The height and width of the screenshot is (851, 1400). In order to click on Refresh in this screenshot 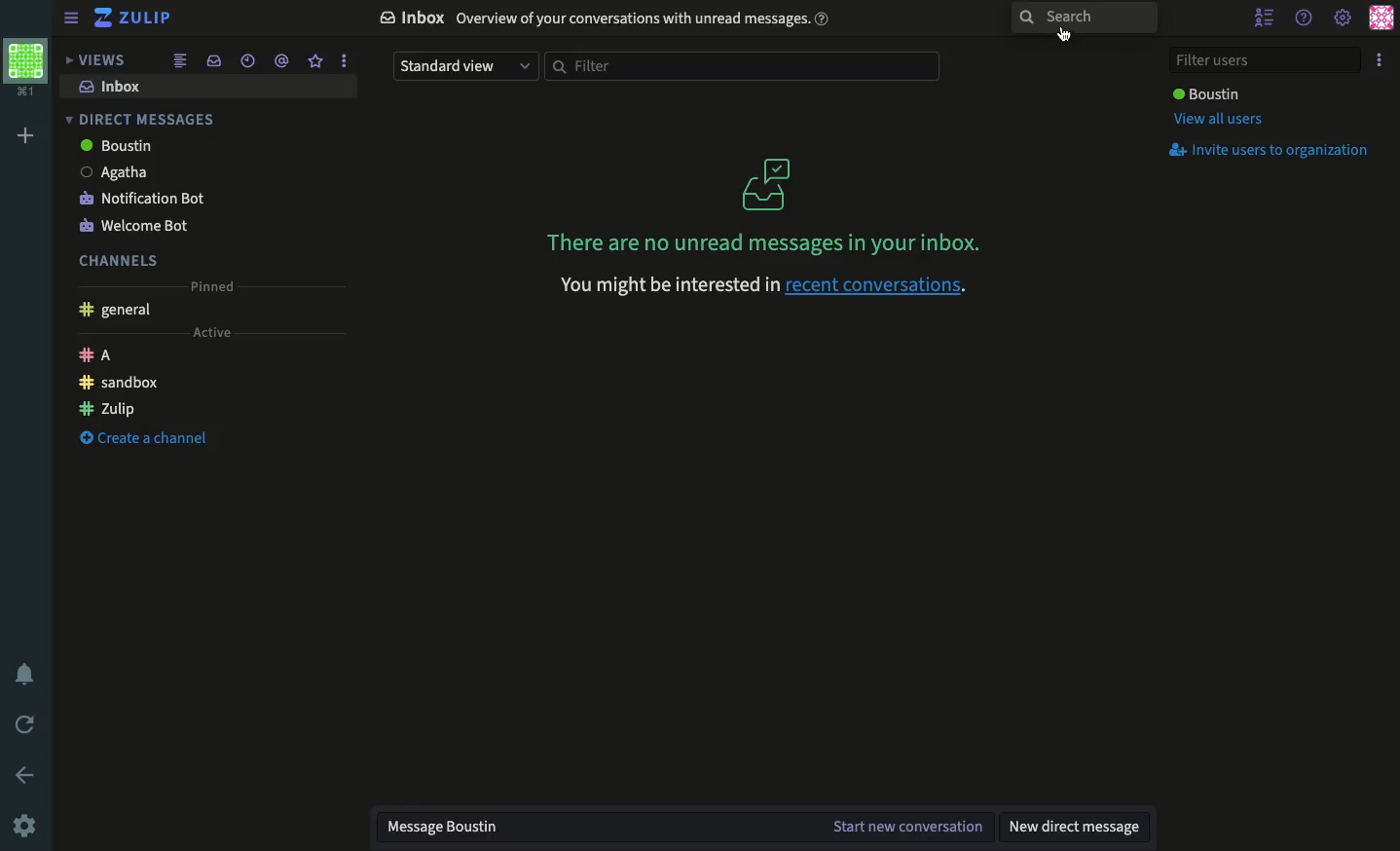, I will do `click(26, 726)`.